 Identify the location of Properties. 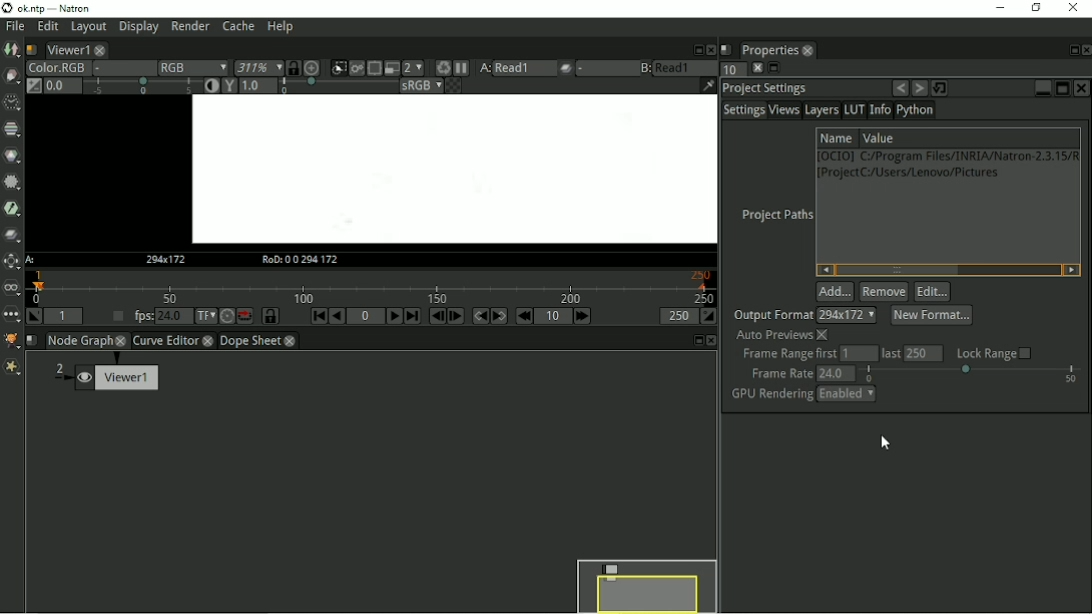
(769, 50).